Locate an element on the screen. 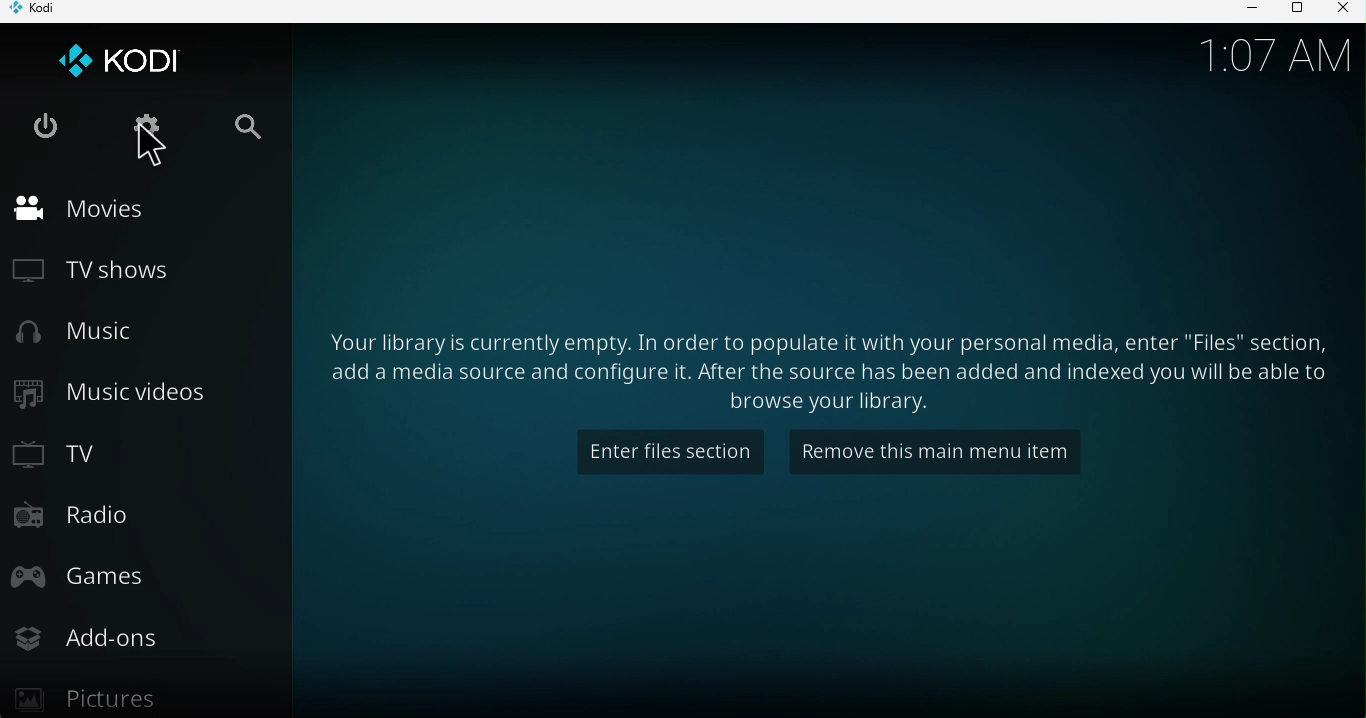 The width and height of the screenshot is (1366, 718). TV shows is located at coordinates (98, 272).